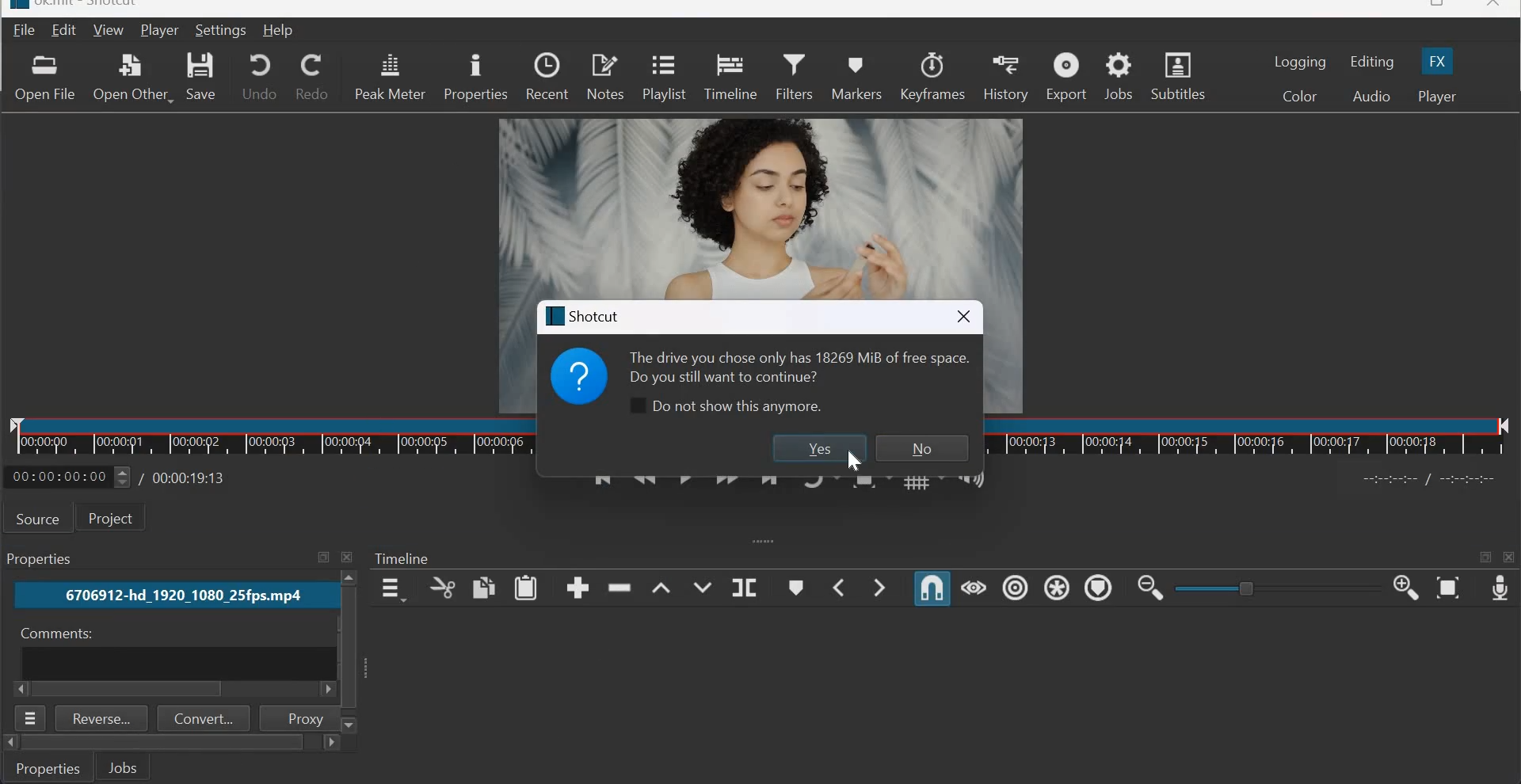  What do you see at coordinates (1301, 62) in the screenshot?
I see `Logging` at bounding box center [1301, 62].